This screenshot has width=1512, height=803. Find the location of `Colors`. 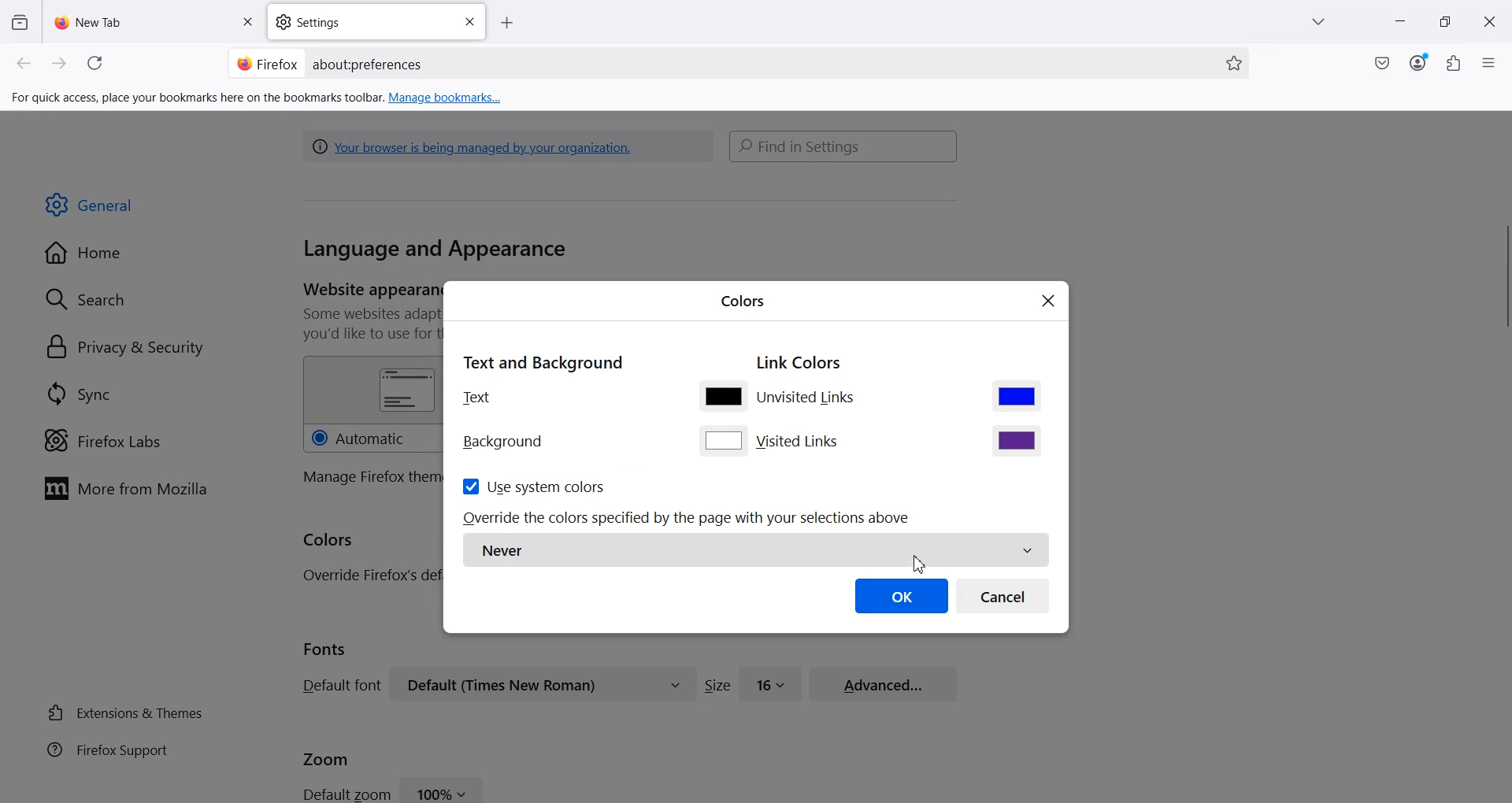

Colors is located at coordinates (329, 541).